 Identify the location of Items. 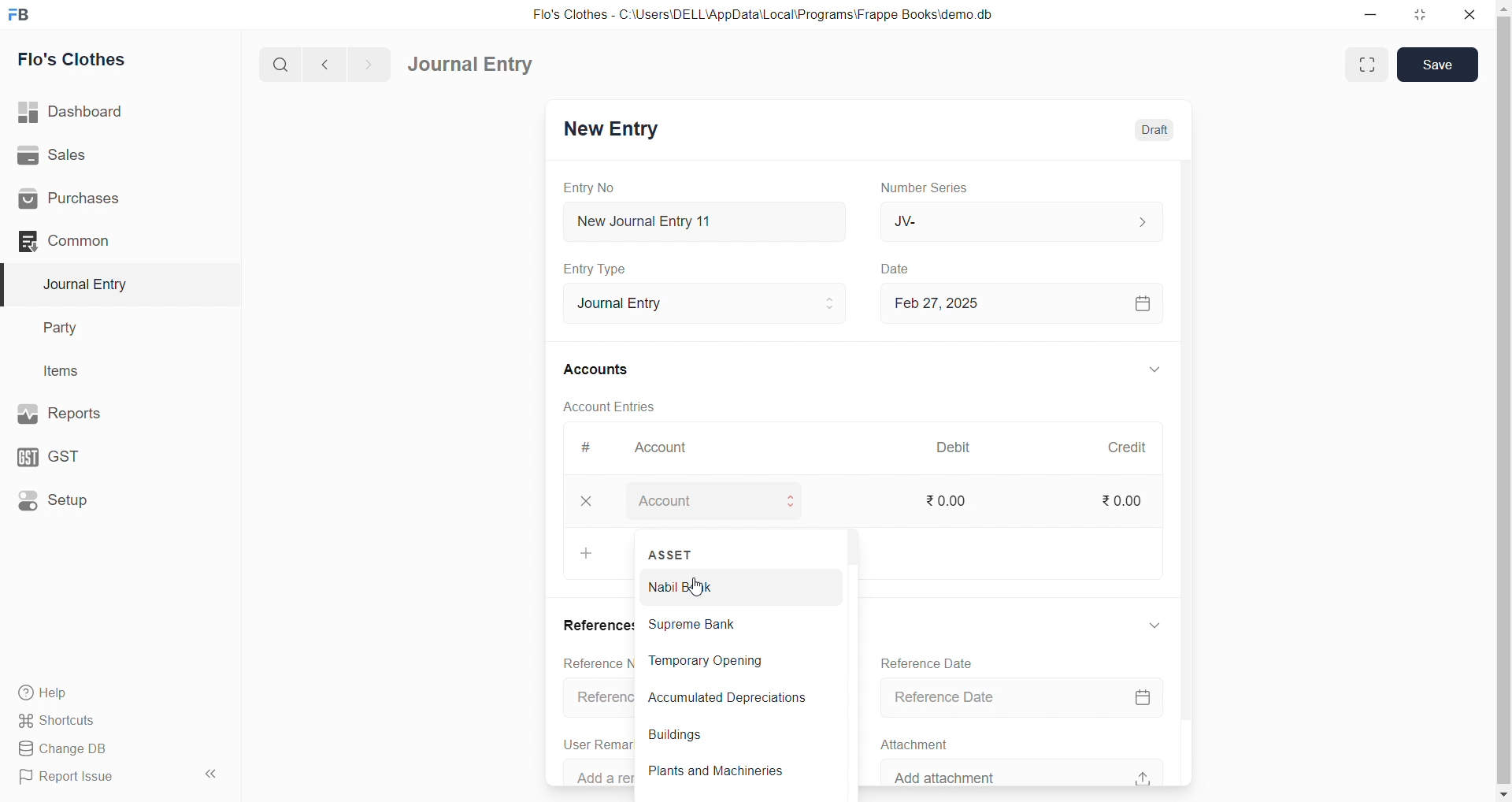
(67, 370).